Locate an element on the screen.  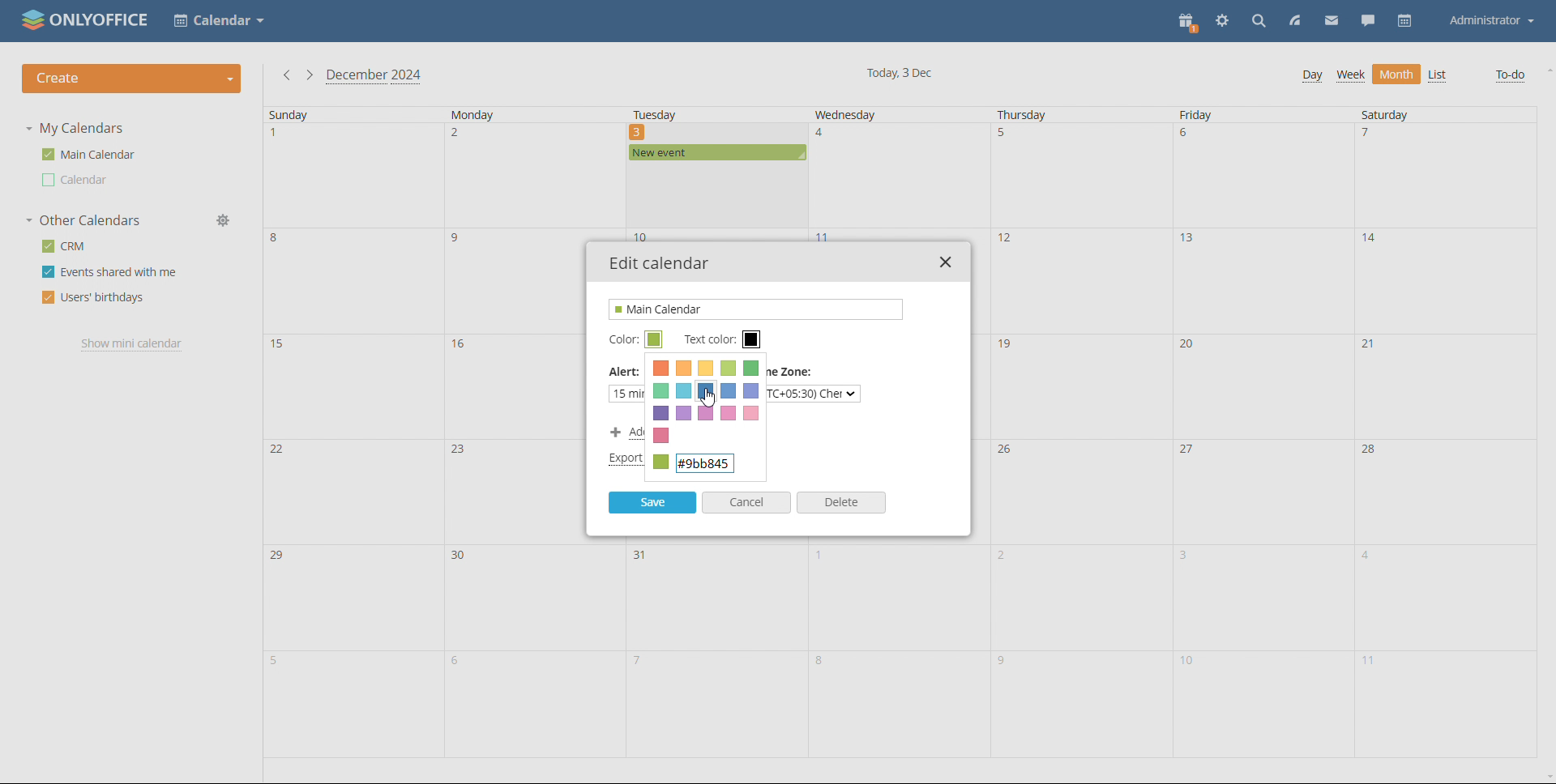
save is located at coordinates (652, 502).